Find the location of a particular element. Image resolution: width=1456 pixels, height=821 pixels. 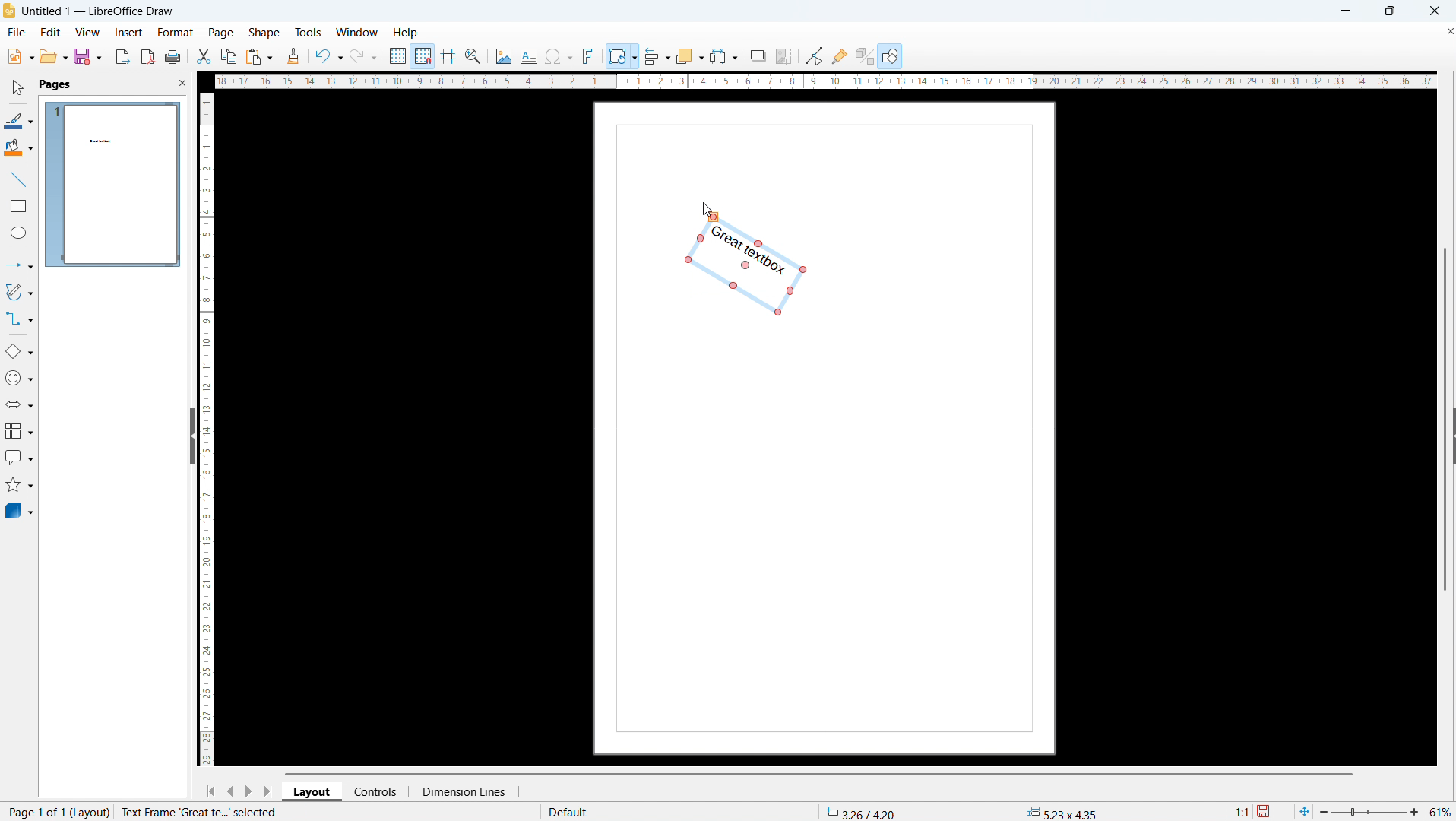

hide pane is located at coordinates (191, 436).